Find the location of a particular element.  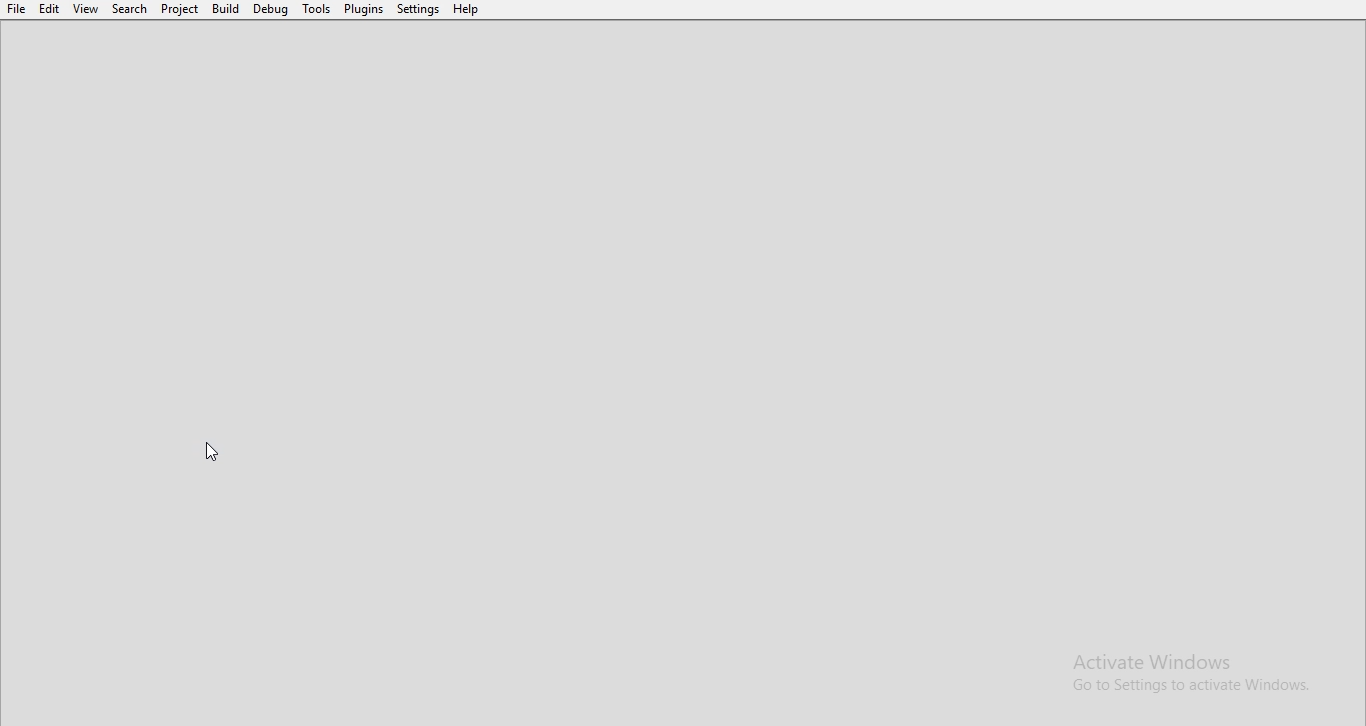

Help is located at coordinates (466, 9).